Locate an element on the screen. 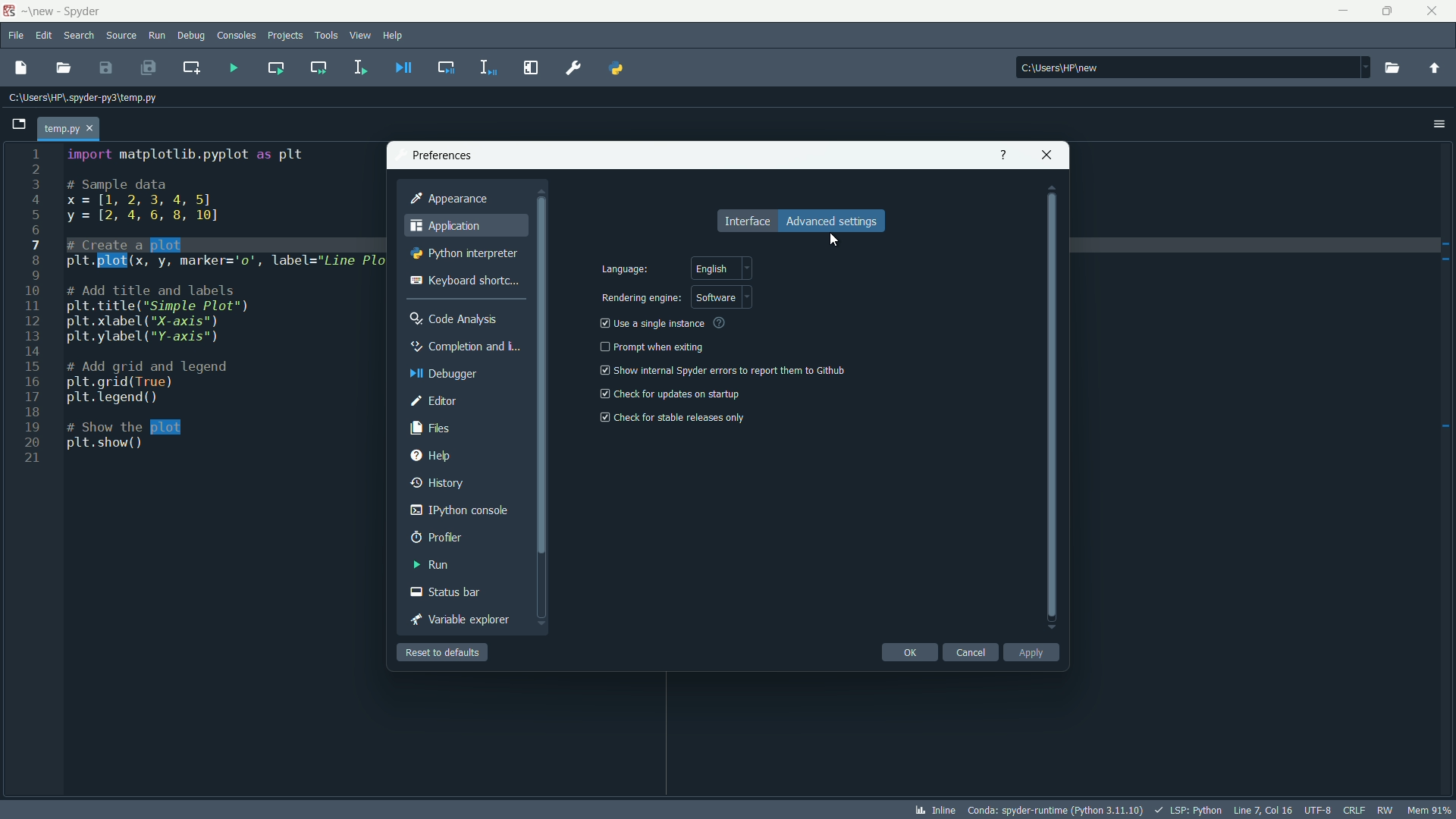 This screenshot has height=819, width=1456. debug is located at coordinates (190, 35).